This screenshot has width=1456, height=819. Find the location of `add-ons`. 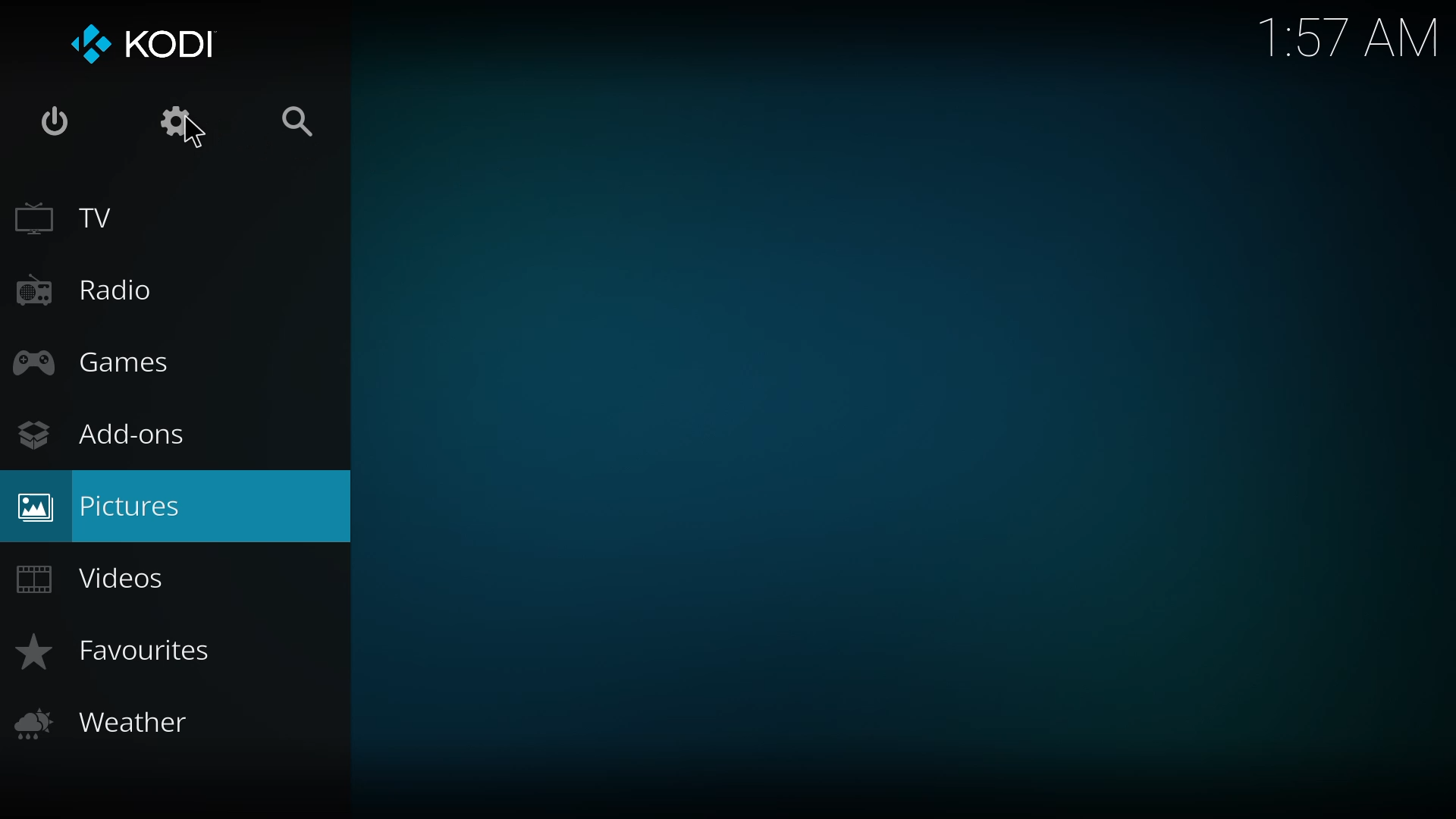

add-ons is located at coordinates (108, 431).